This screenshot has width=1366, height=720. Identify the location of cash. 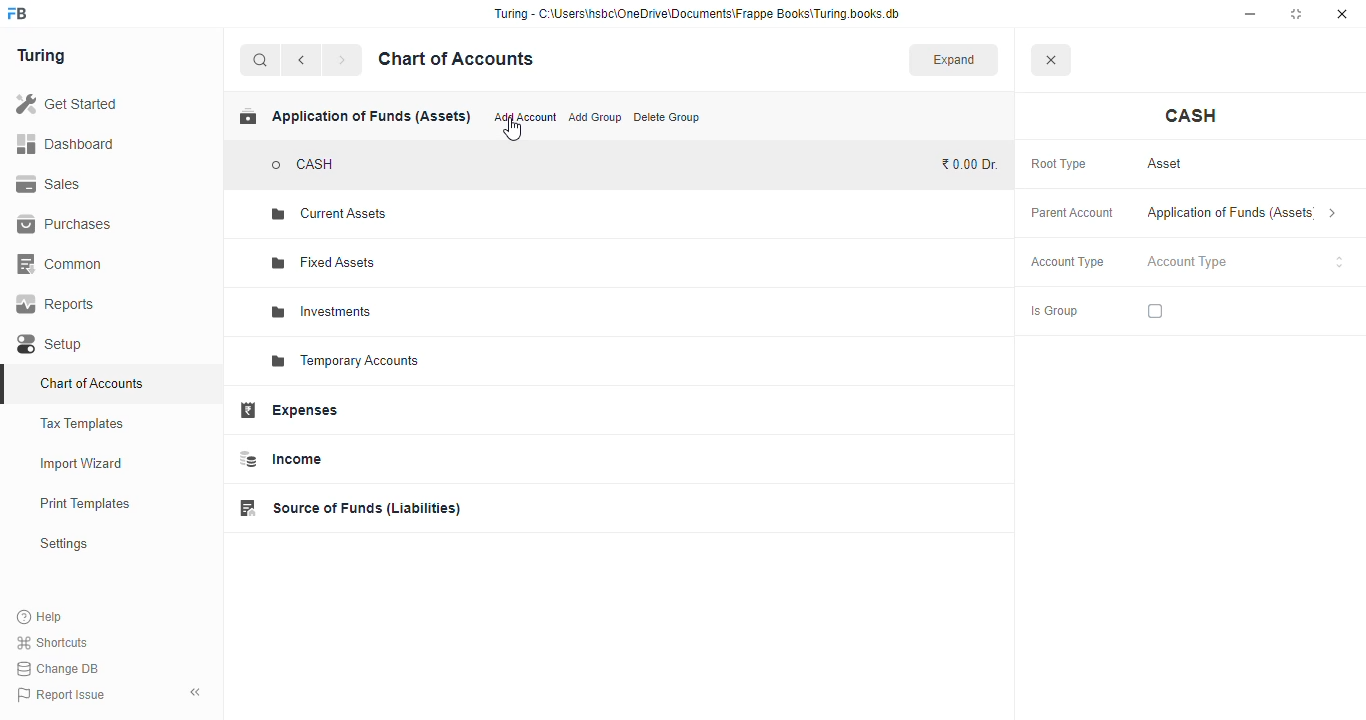
(1192, 116).